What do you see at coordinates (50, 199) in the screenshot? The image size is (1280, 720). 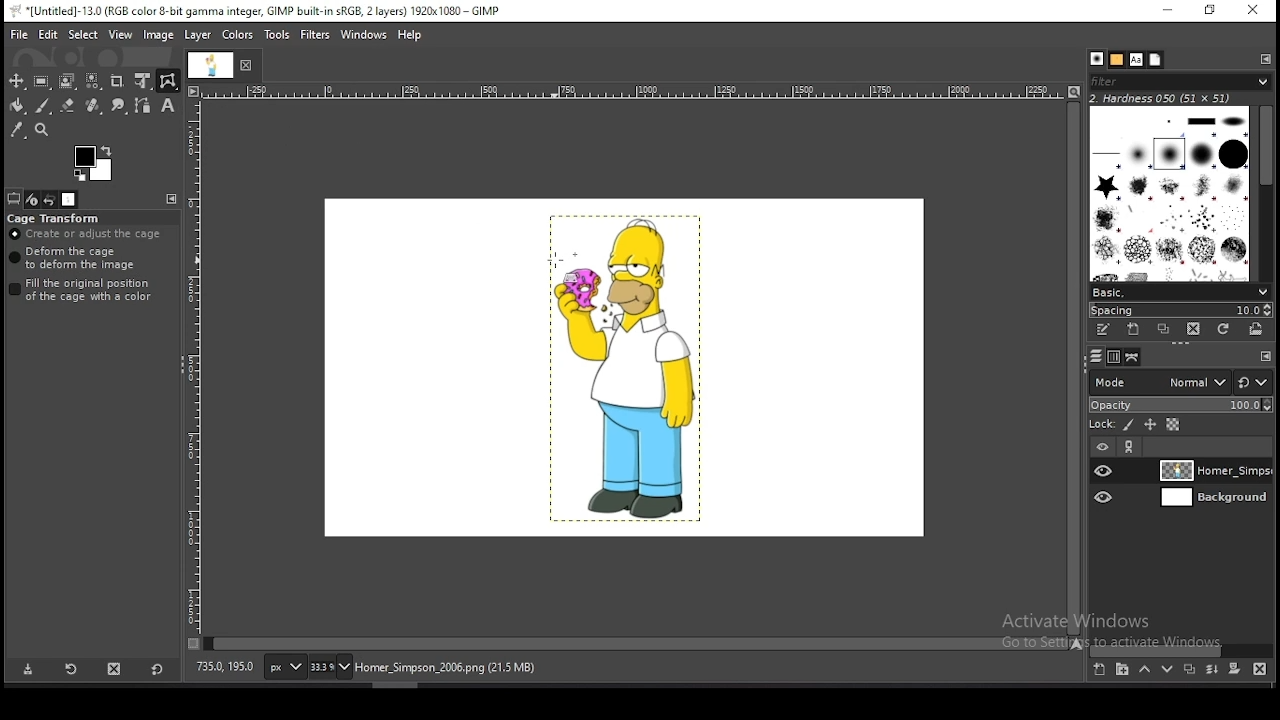 I see `undo history` at bounding box center [50, 199].